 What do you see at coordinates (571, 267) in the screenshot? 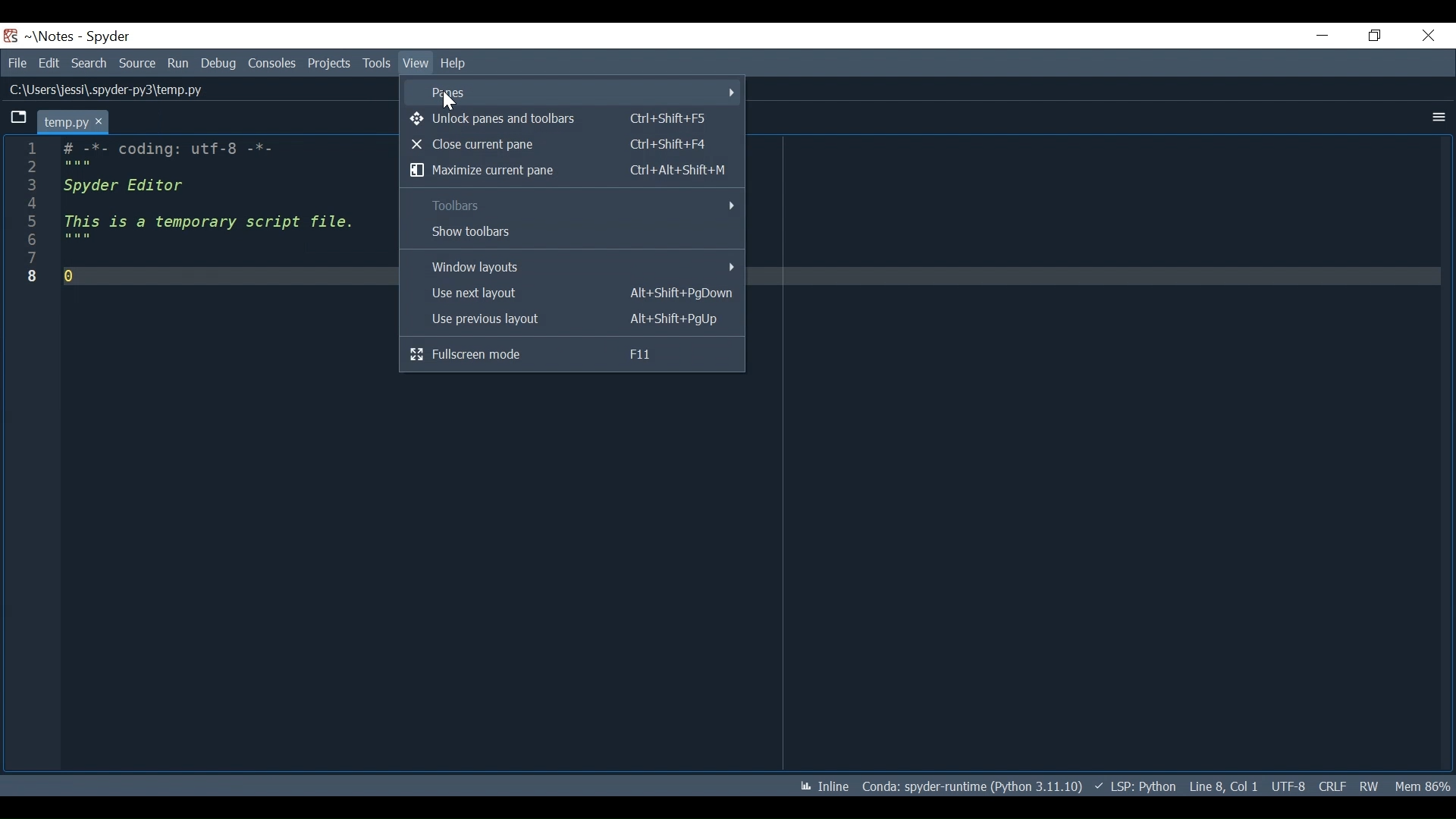
I see `Windows layout` at bounding box center [571, 267].